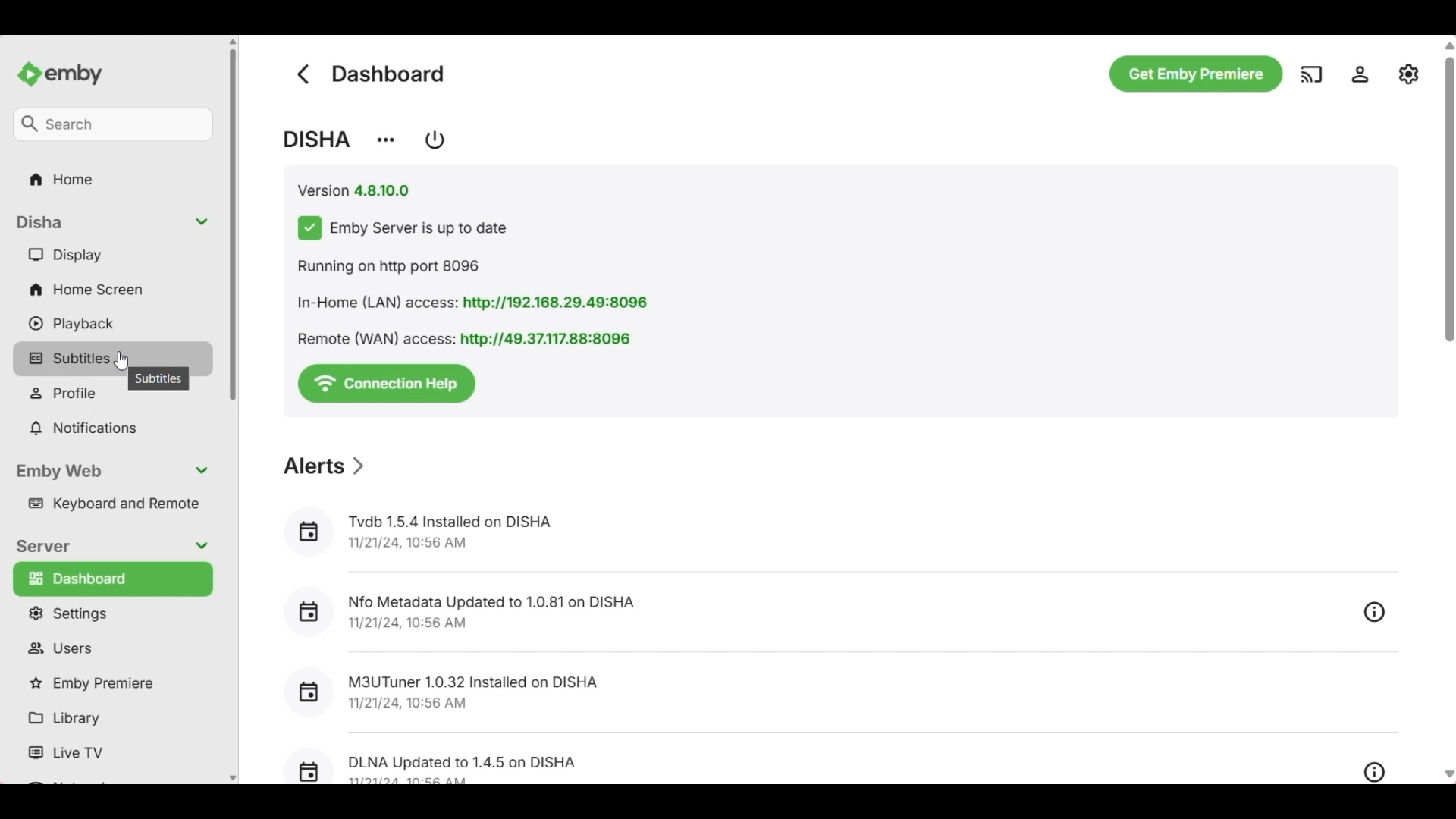 The height and width of the screenshot is (819, 1456). Describe the element at coordinates (470, 301) in the screenshot. I see `` at that location.